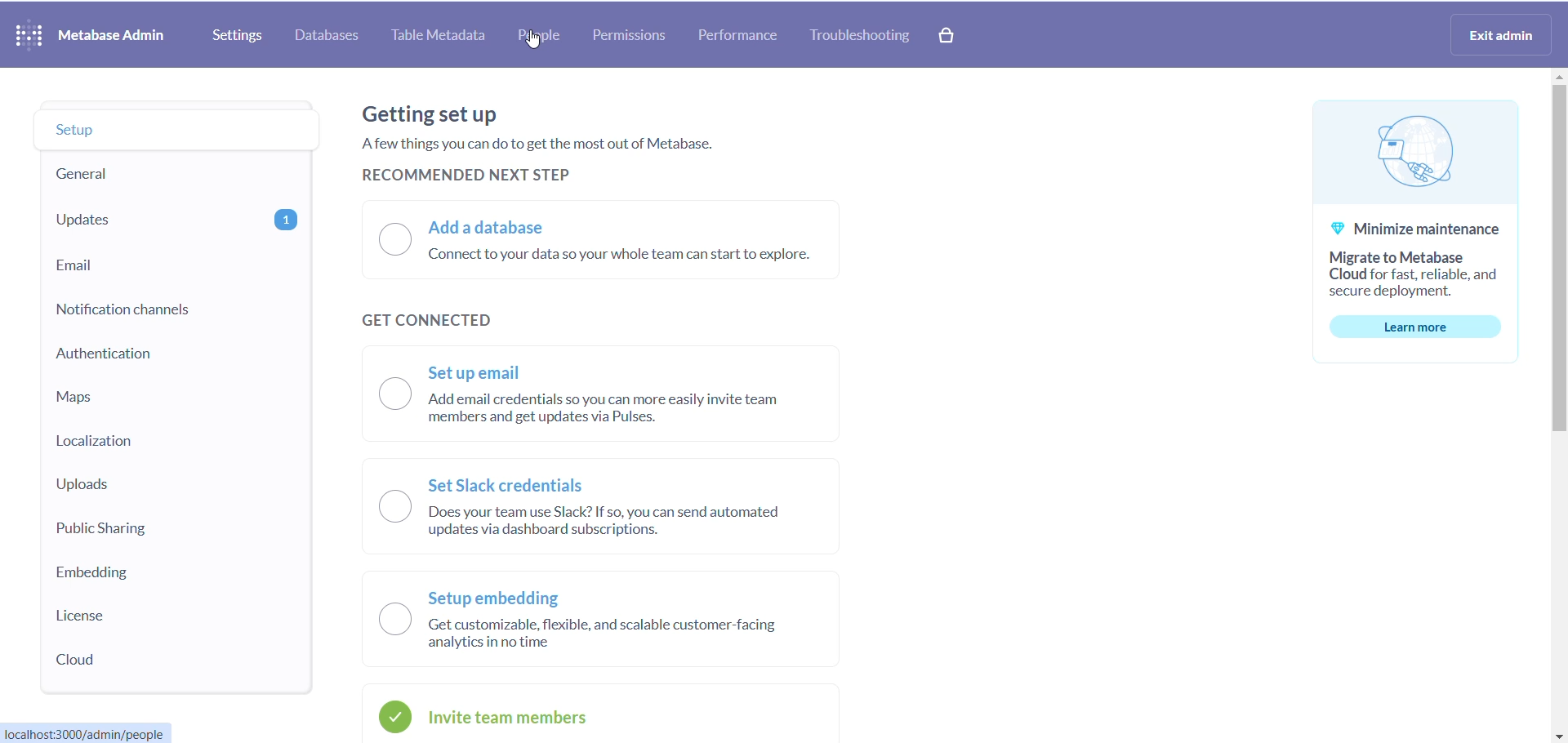 Image resolution: width=1568 pixels, height=743 pixels. What do you see at coordinates (156, 577) in the screenshot?
I see `embedding` at bounding box center [156, 577].